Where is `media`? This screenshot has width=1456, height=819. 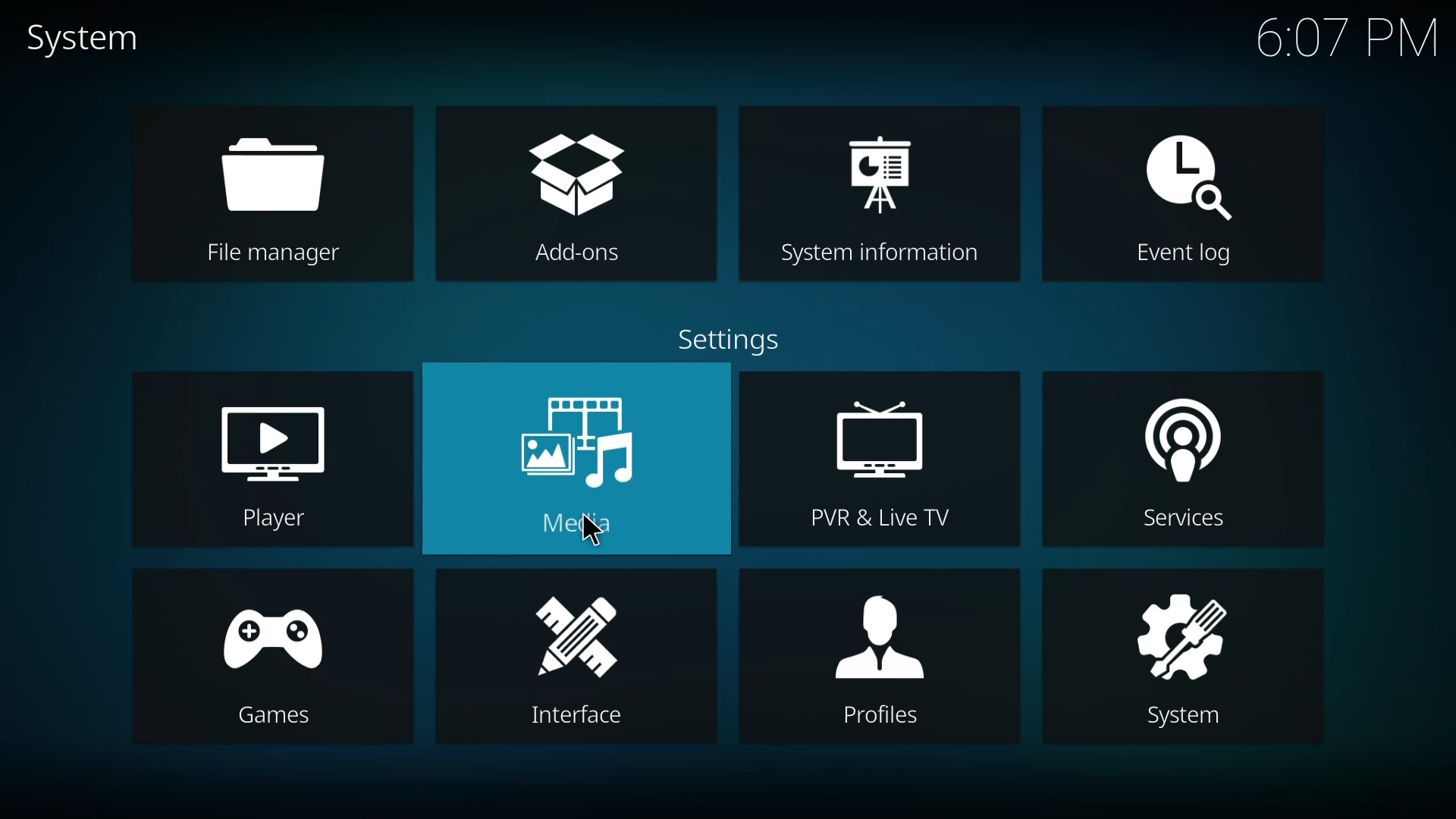 media is located at coordinates (579, 439).